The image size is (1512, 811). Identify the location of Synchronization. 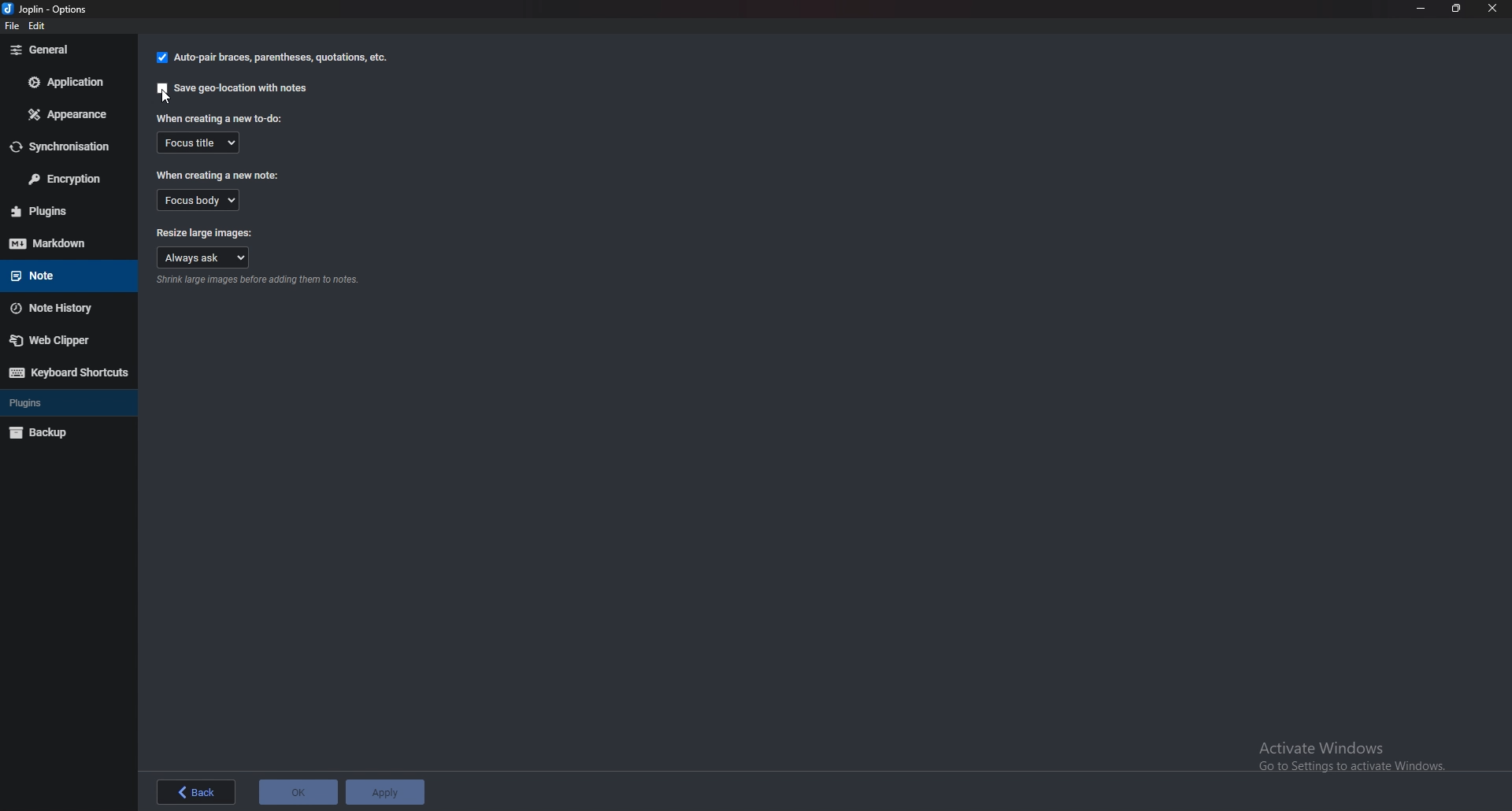
(64, 147).